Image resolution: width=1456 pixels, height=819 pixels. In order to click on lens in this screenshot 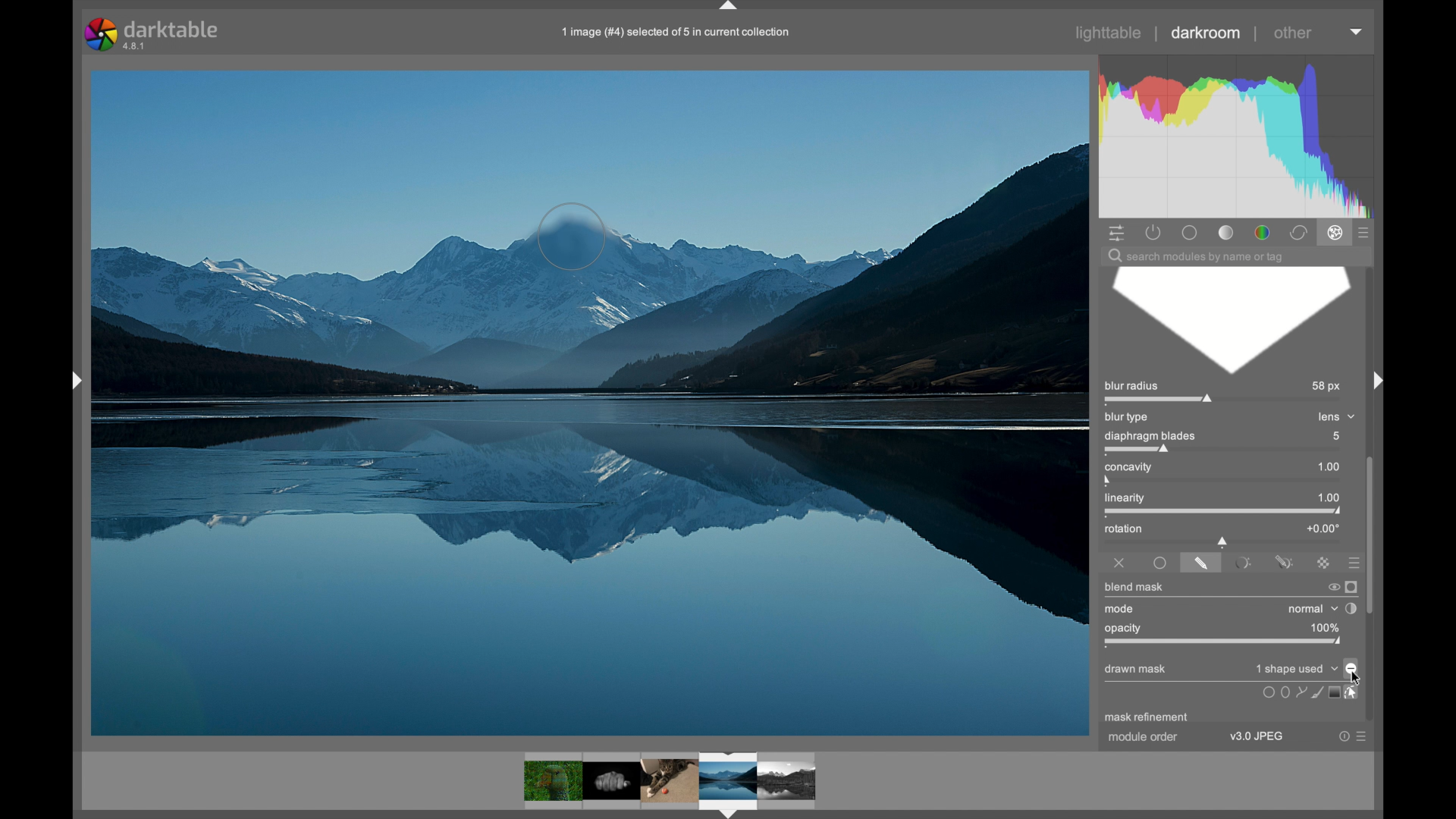, I will do `click(1335, 416)`.